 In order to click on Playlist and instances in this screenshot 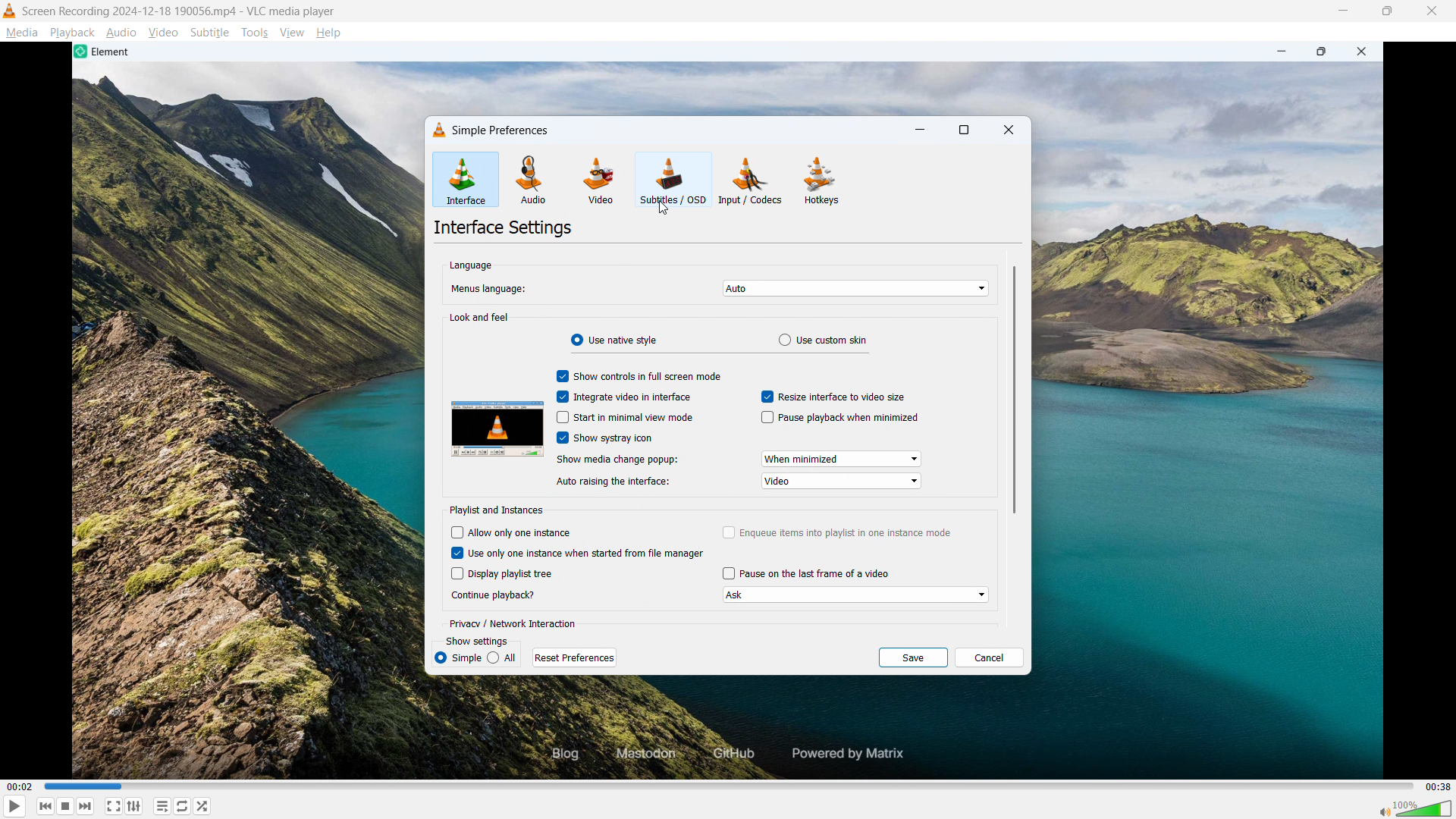, I will do `click(499, 510)`.